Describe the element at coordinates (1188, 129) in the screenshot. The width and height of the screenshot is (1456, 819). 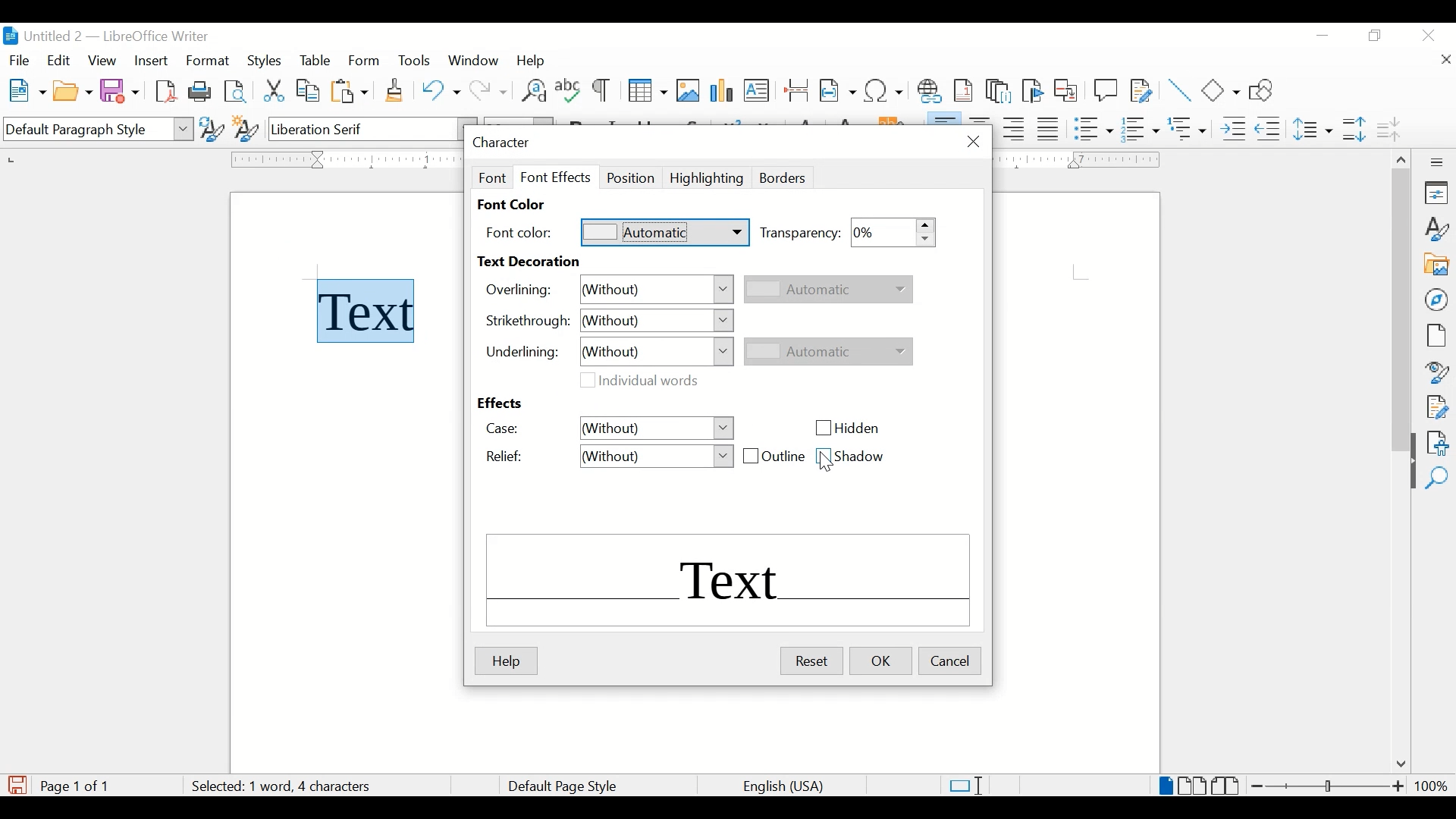
I see `select outline format` at that location.